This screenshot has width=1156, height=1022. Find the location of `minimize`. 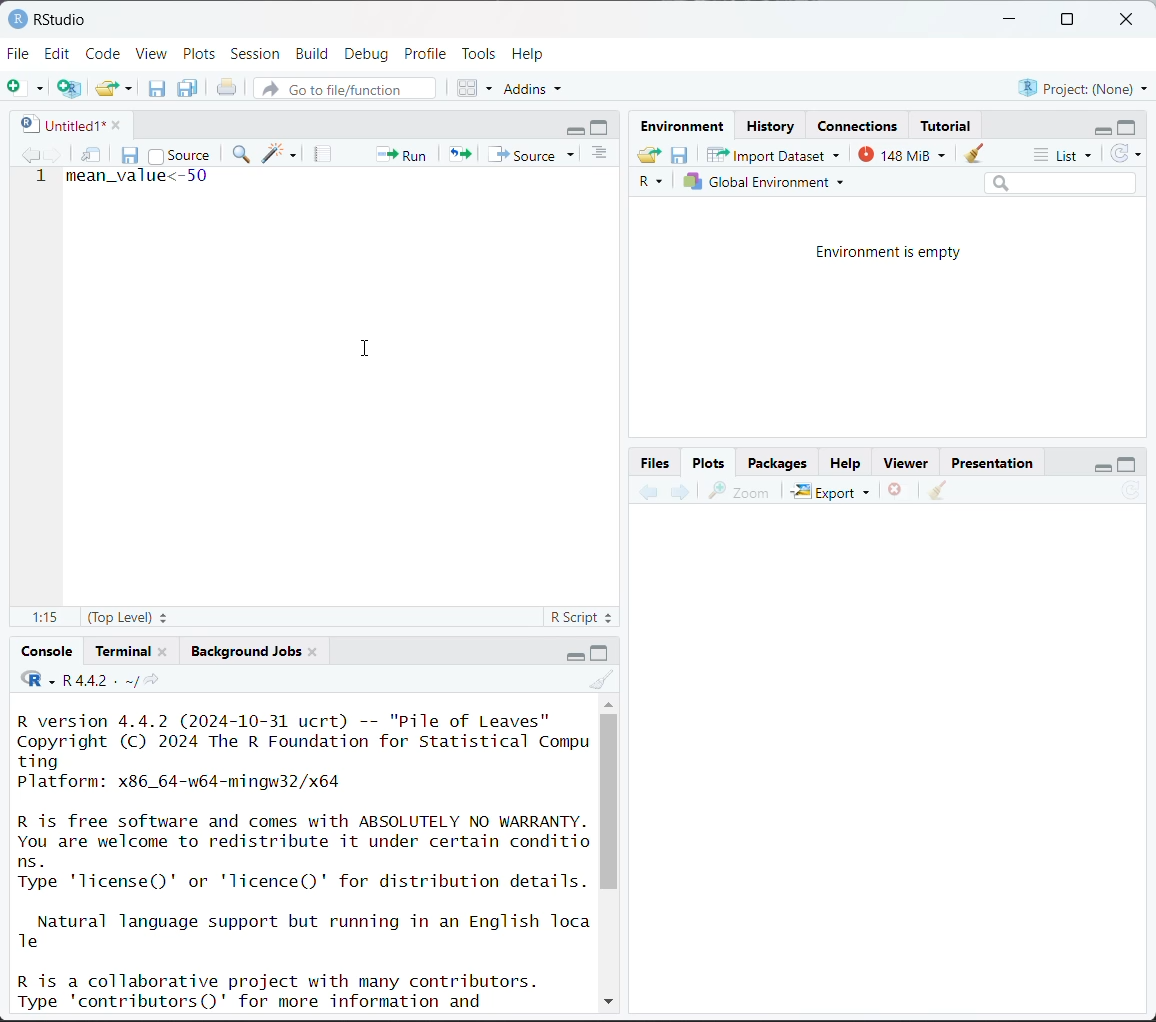

minimize is located at coordinates (576, 128).